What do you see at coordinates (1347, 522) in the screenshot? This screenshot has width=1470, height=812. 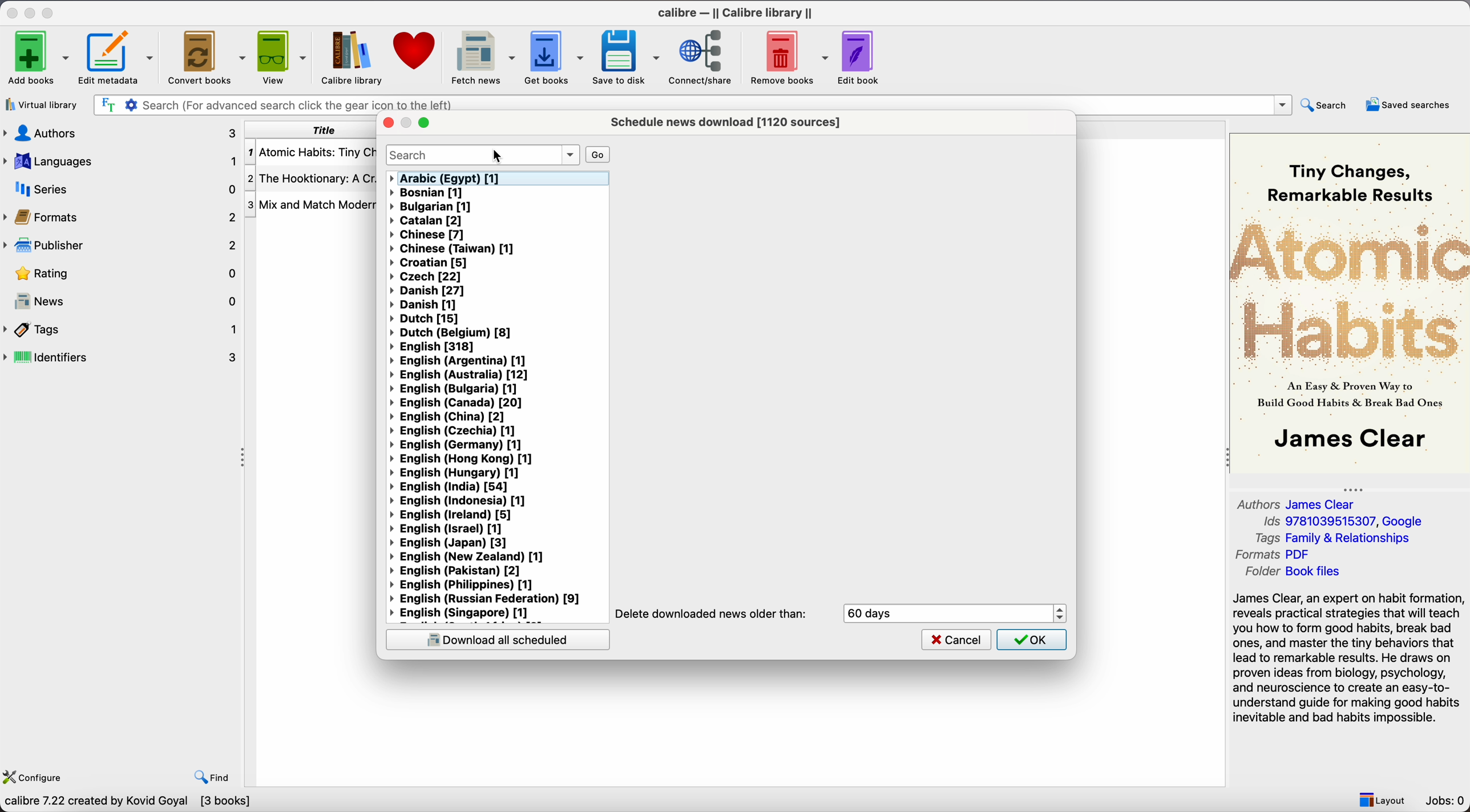 I see `Ids 9781039515307, Google` at bounding box center [1347, 522].